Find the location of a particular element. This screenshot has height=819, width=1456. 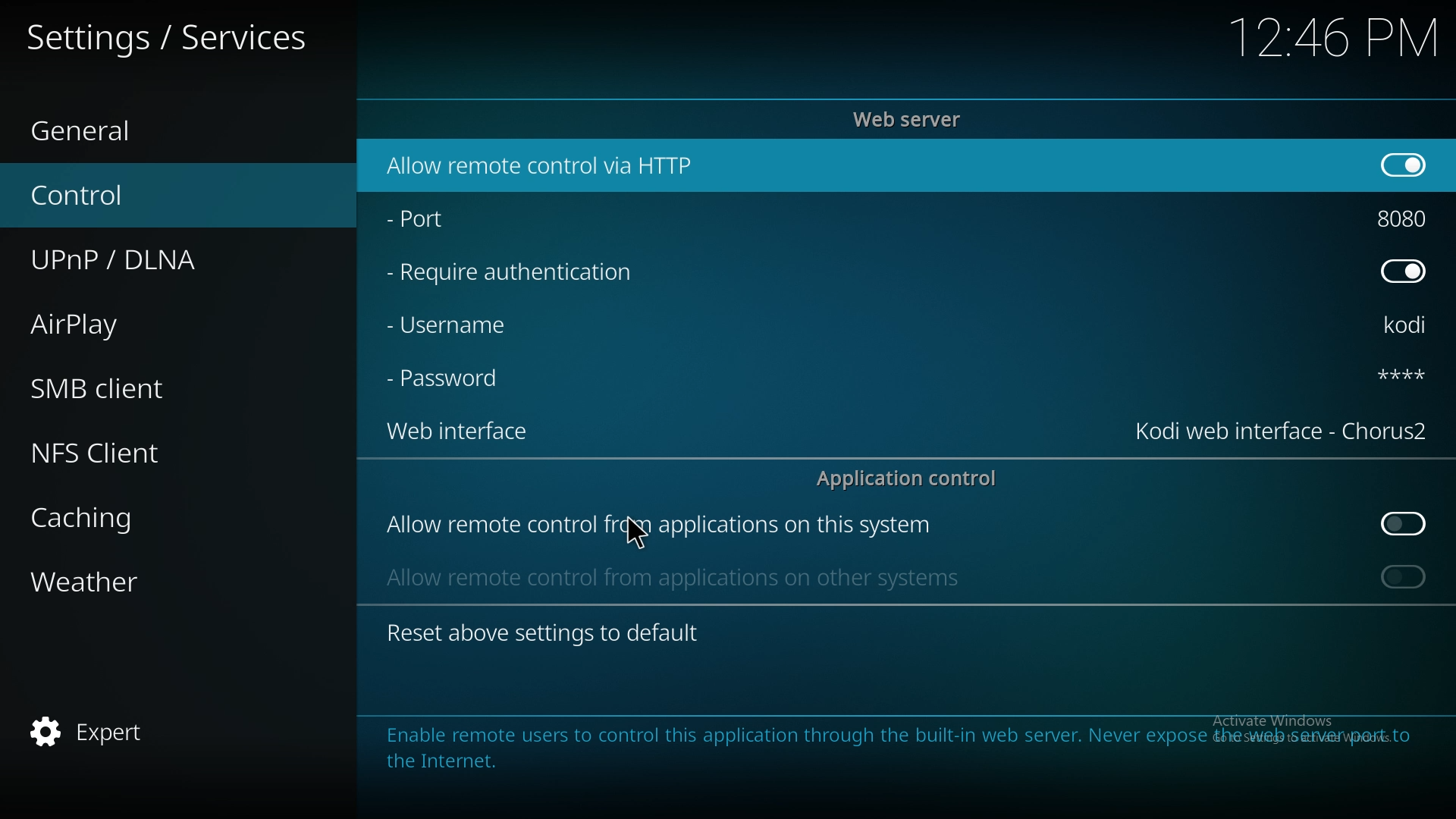

caching is located at coordinates (139, 518).